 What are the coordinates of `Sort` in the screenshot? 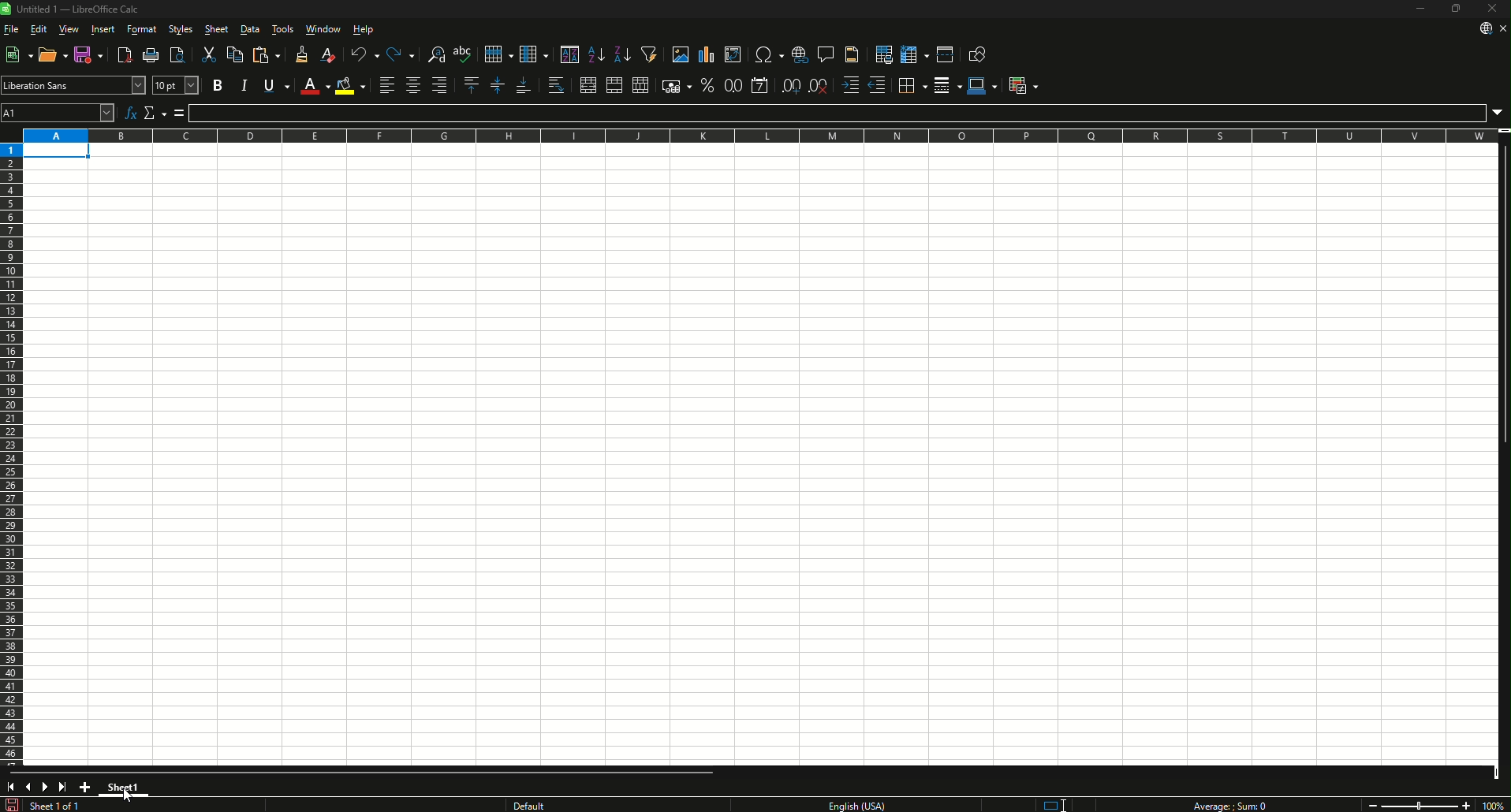 It's located at (569, 54).